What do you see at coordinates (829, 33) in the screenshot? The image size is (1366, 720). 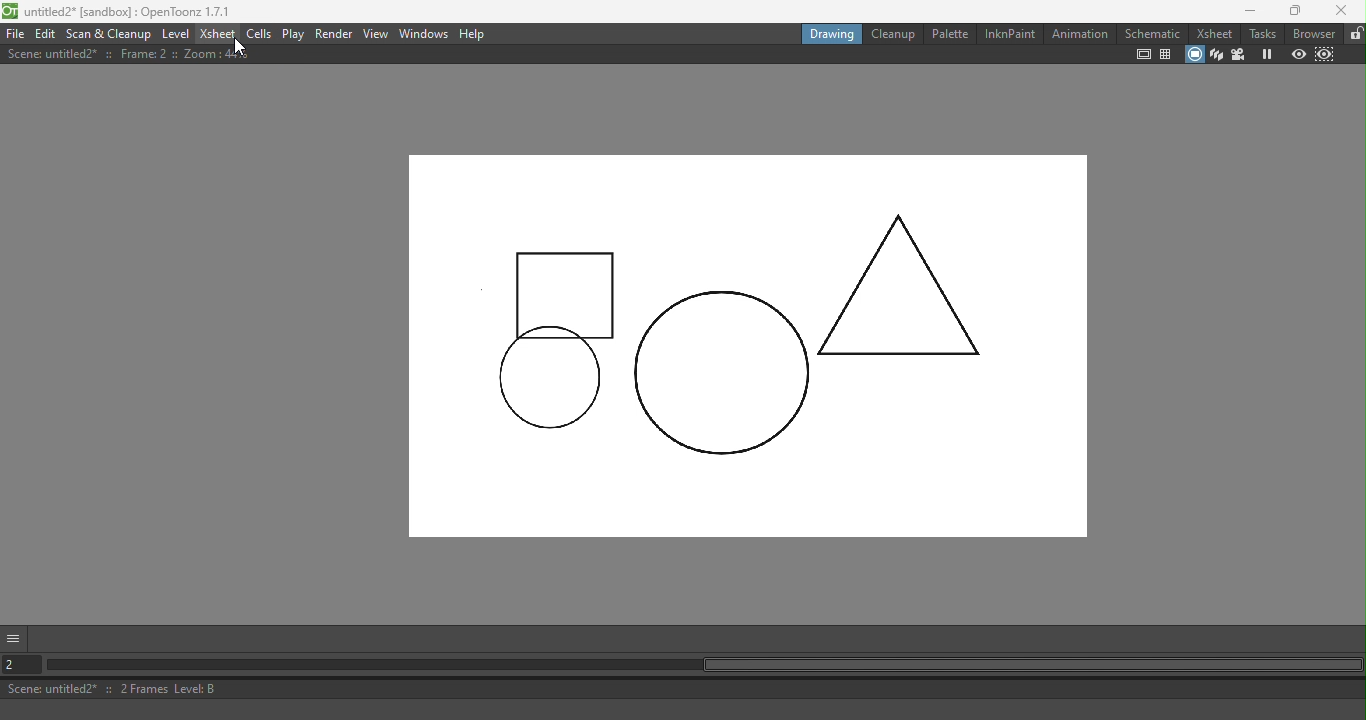 I see `Drawing` at bounding box center [829, 33].